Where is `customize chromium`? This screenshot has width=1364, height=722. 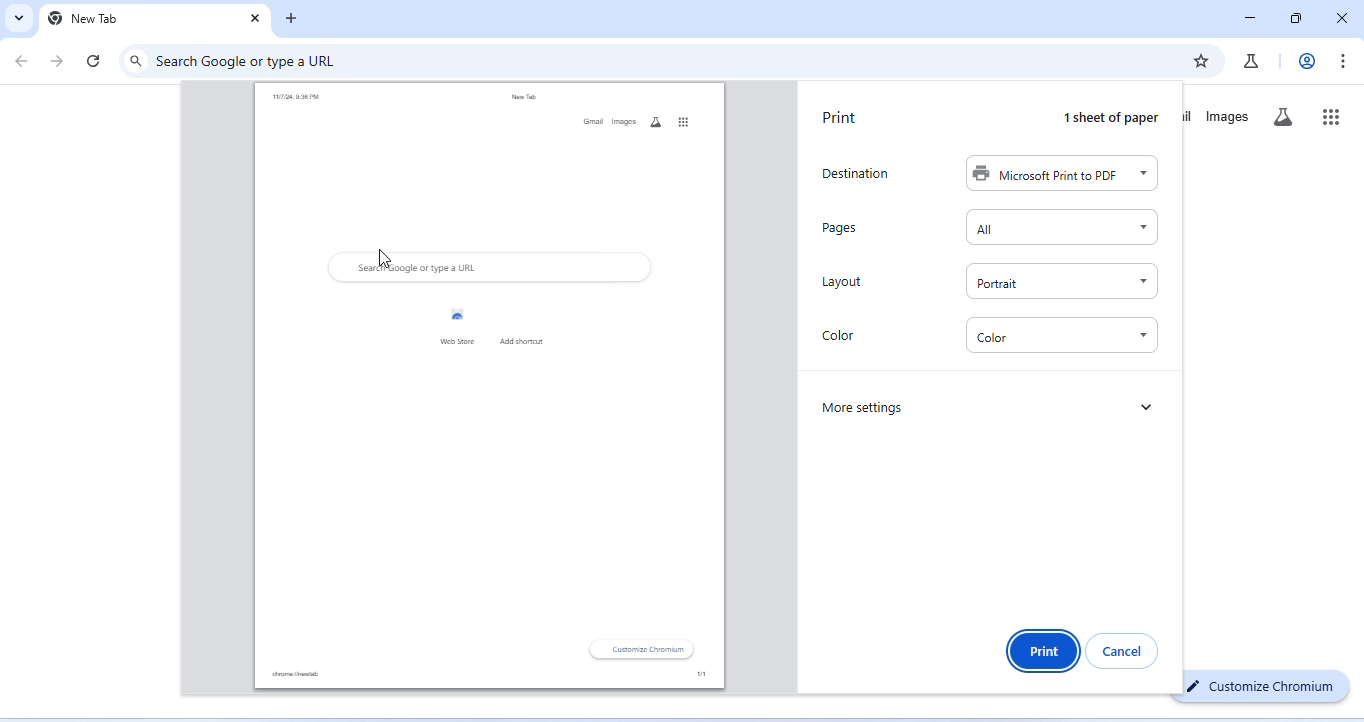 customize chromium is located at coordinates (1267, 685).